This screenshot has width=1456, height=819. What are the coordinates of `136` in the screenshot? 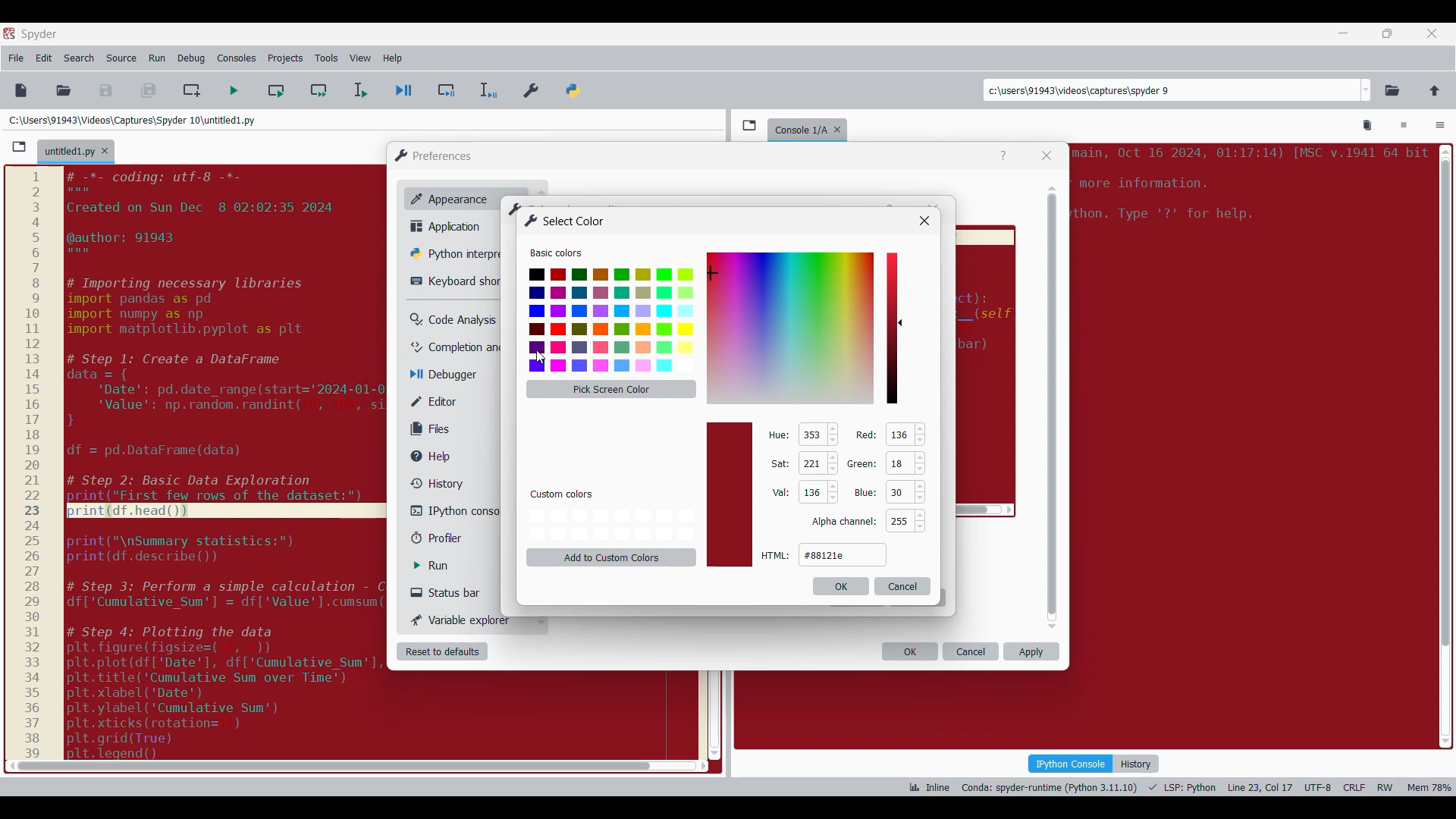 It's located at (899, 435).